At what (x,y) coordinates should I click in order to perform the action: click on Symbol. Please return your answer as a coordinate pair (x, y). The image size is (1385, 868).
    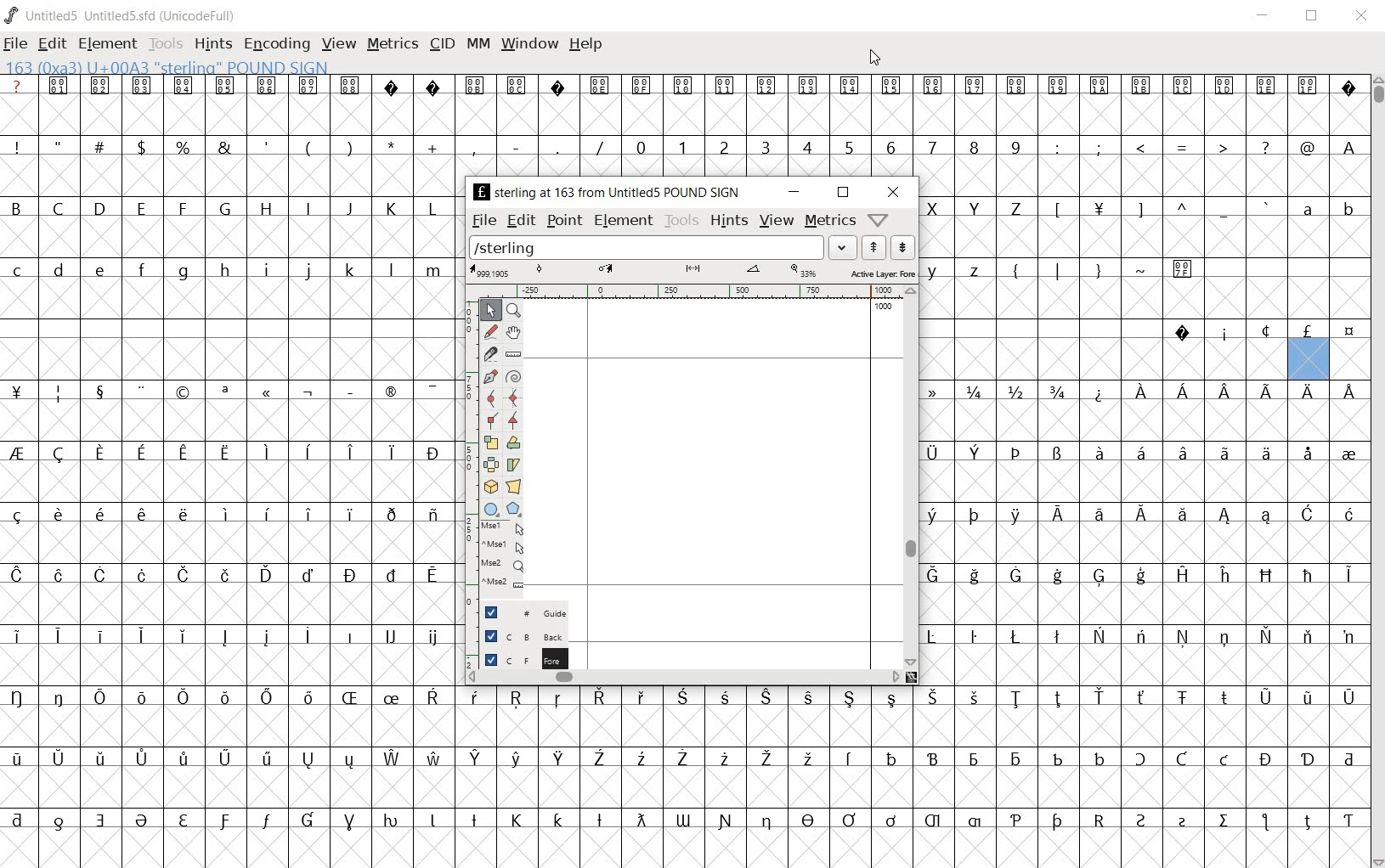
    Looking at the image, I should click on (59, 454).